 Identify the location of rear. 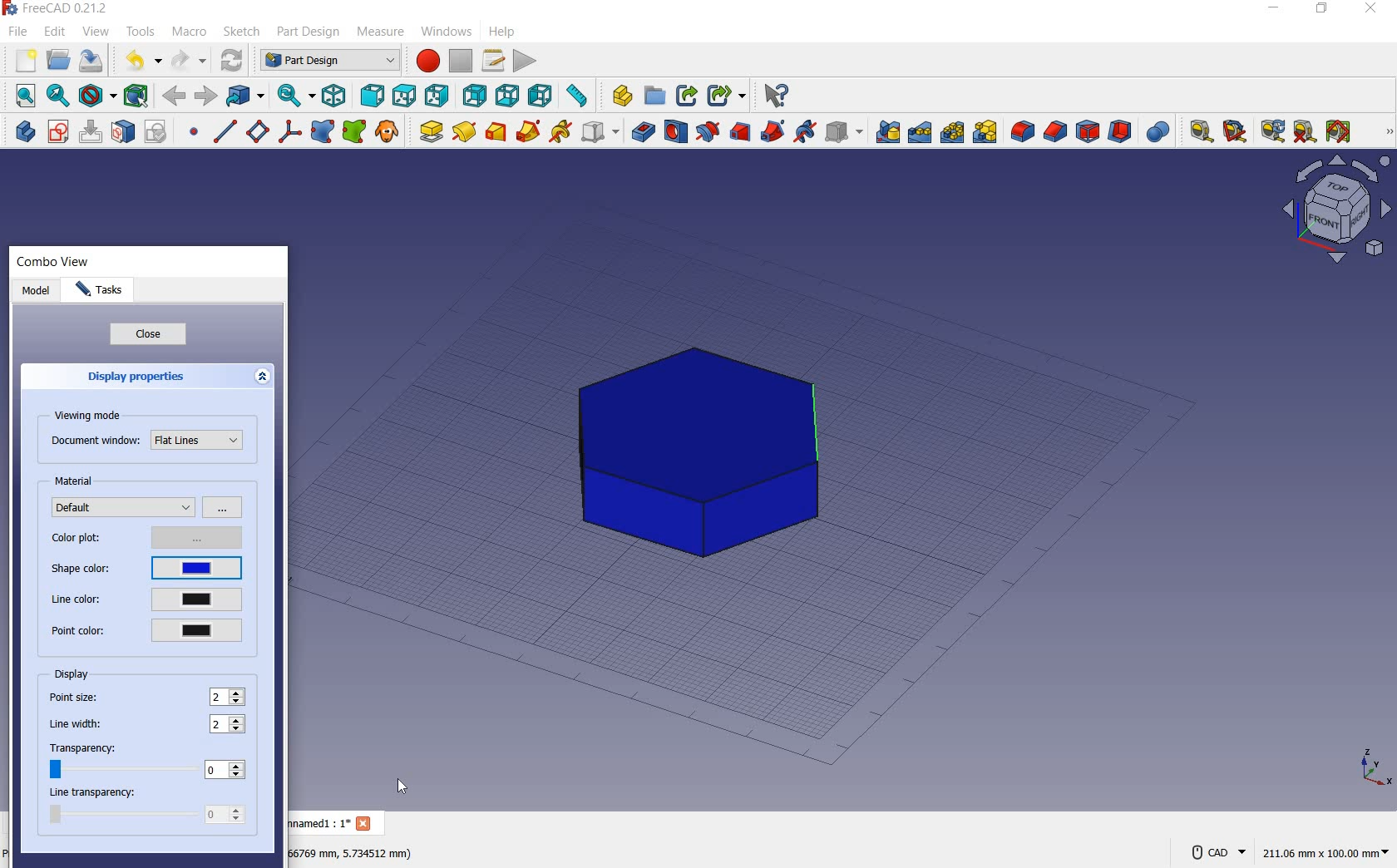
(475, 96).